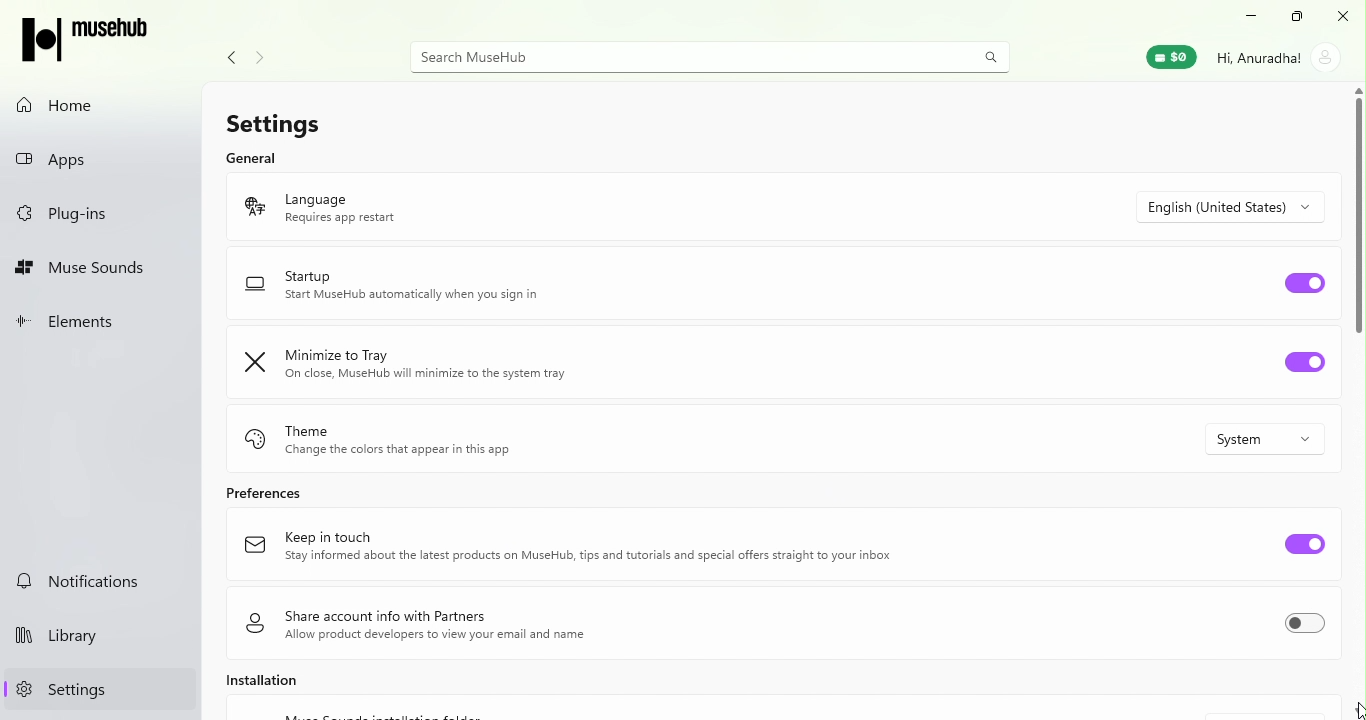  What do you see at coordinates (600, 546) in the screenshot?
I see `Keep in touch Stay informed about the latest products on MuseHub, tips and tutorials and special offers straight to your inbox` at bounding box center [600, 546].